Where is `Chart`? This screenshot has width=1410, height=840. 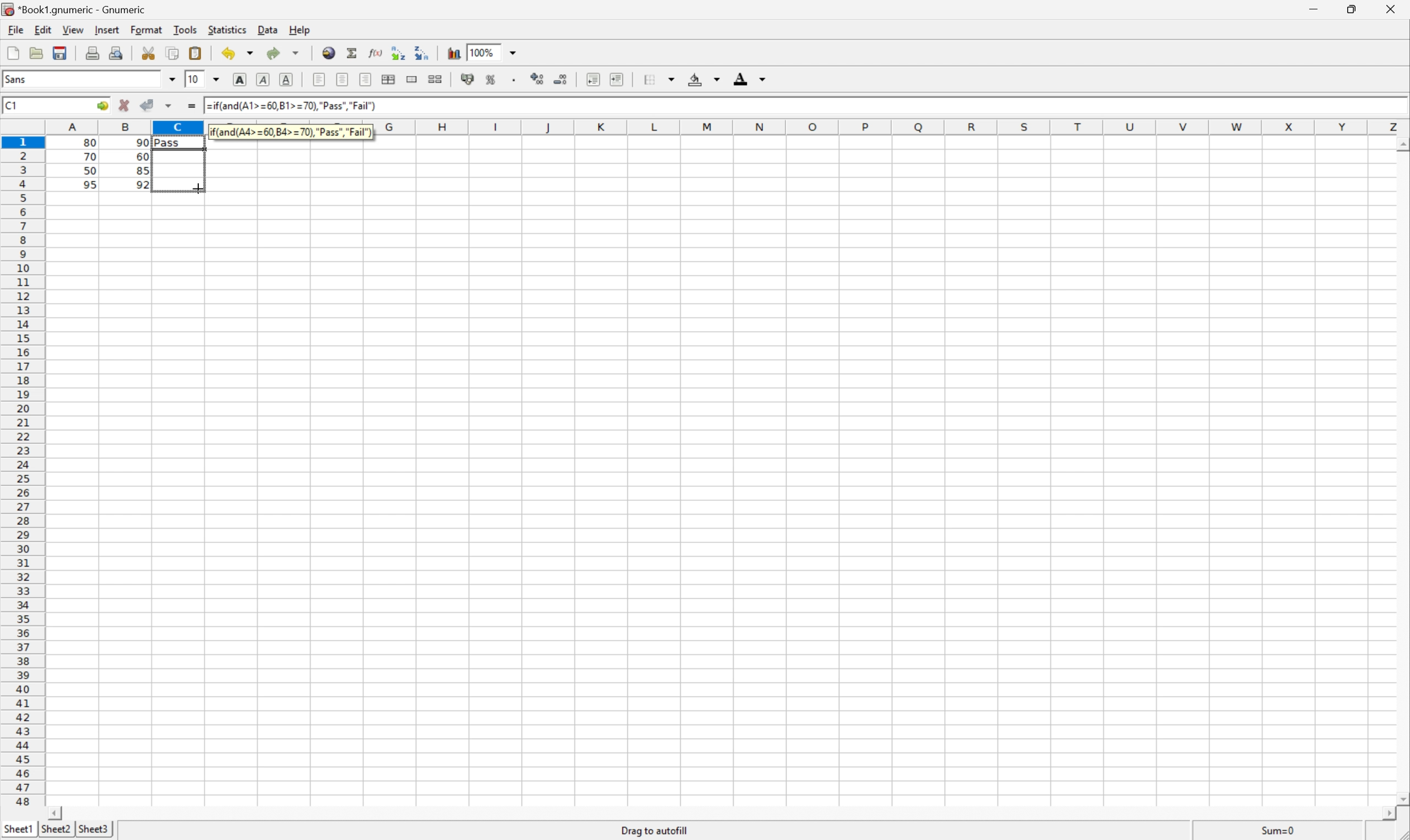 Chart is located at coordinates (451, 53).